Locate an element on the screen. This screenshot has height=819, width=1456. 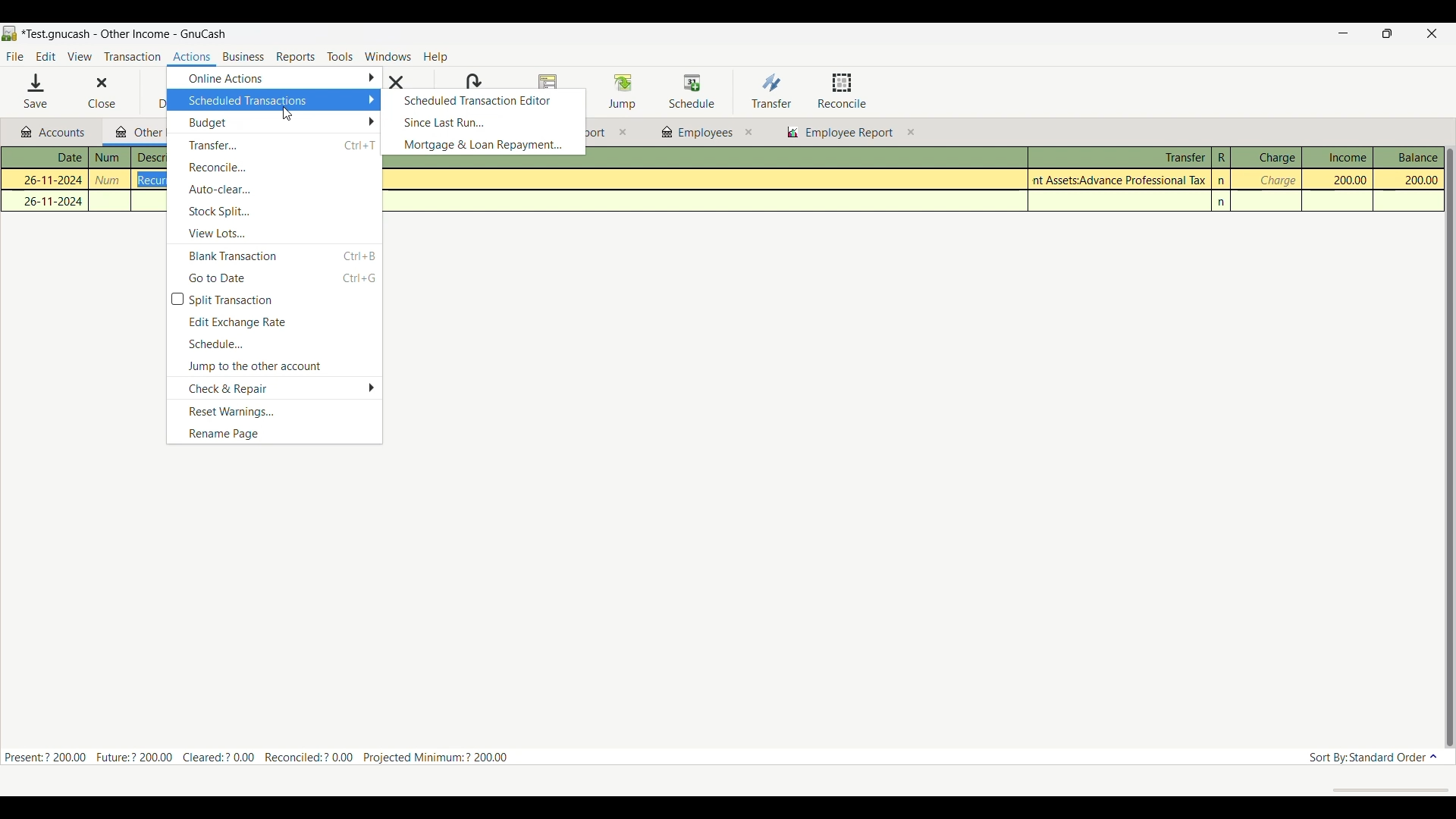
200.00 is located at coordinates (1409, 180).